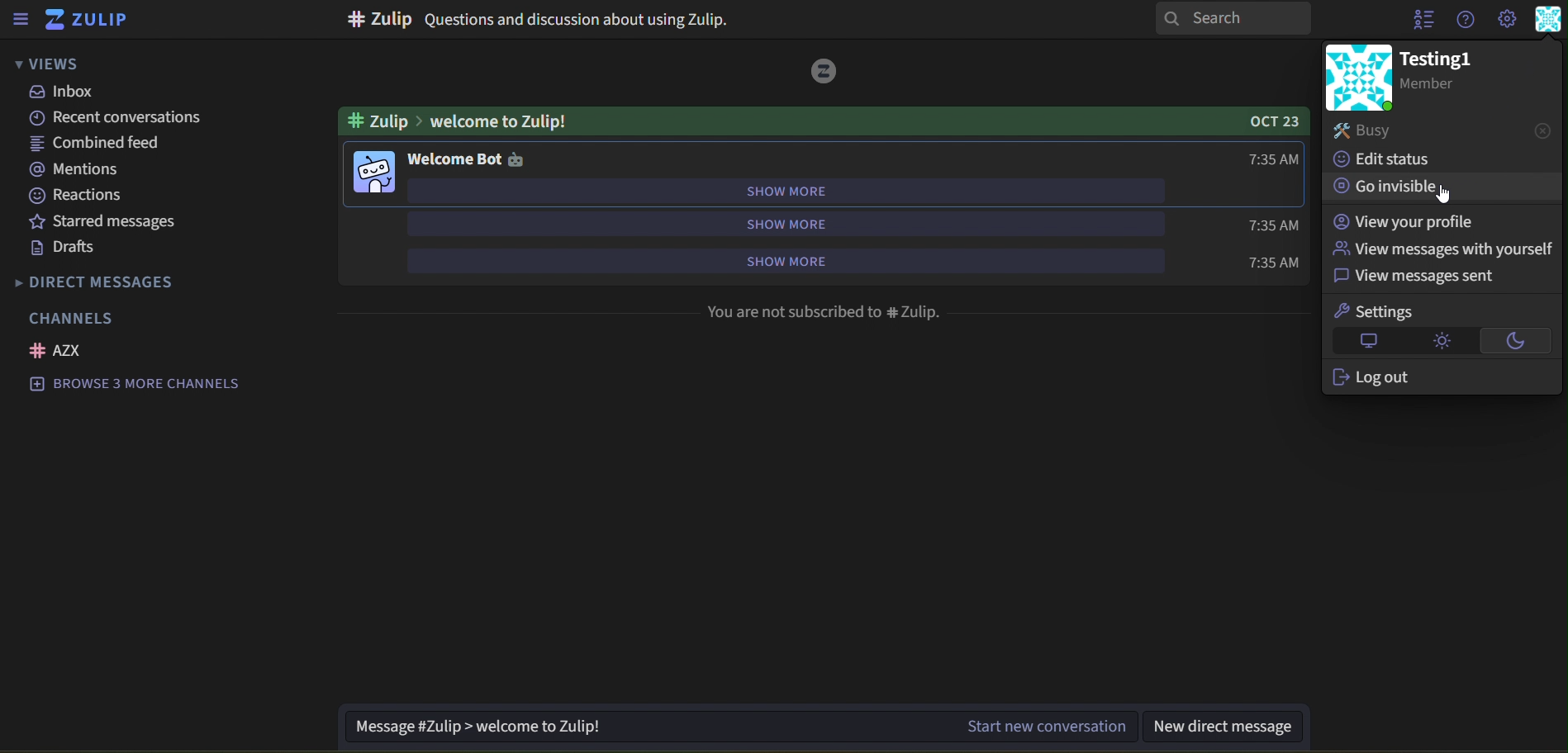 The image size is (1568, 753). Describe the element at coordinates (87, 196) in the screenshot. I see `reactions` at that location.